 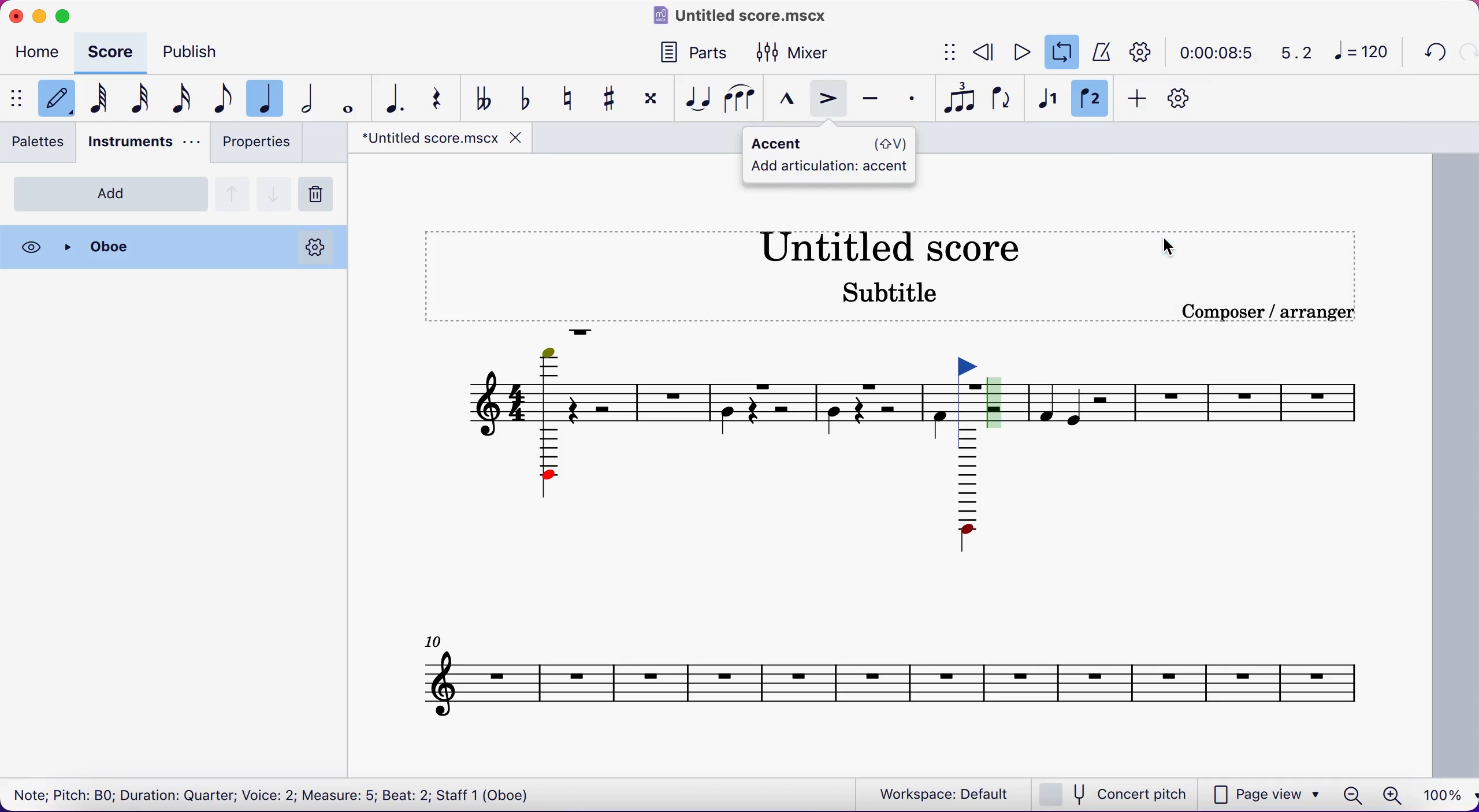 I want to click on set loop marker left, so click(x=972, y=388).